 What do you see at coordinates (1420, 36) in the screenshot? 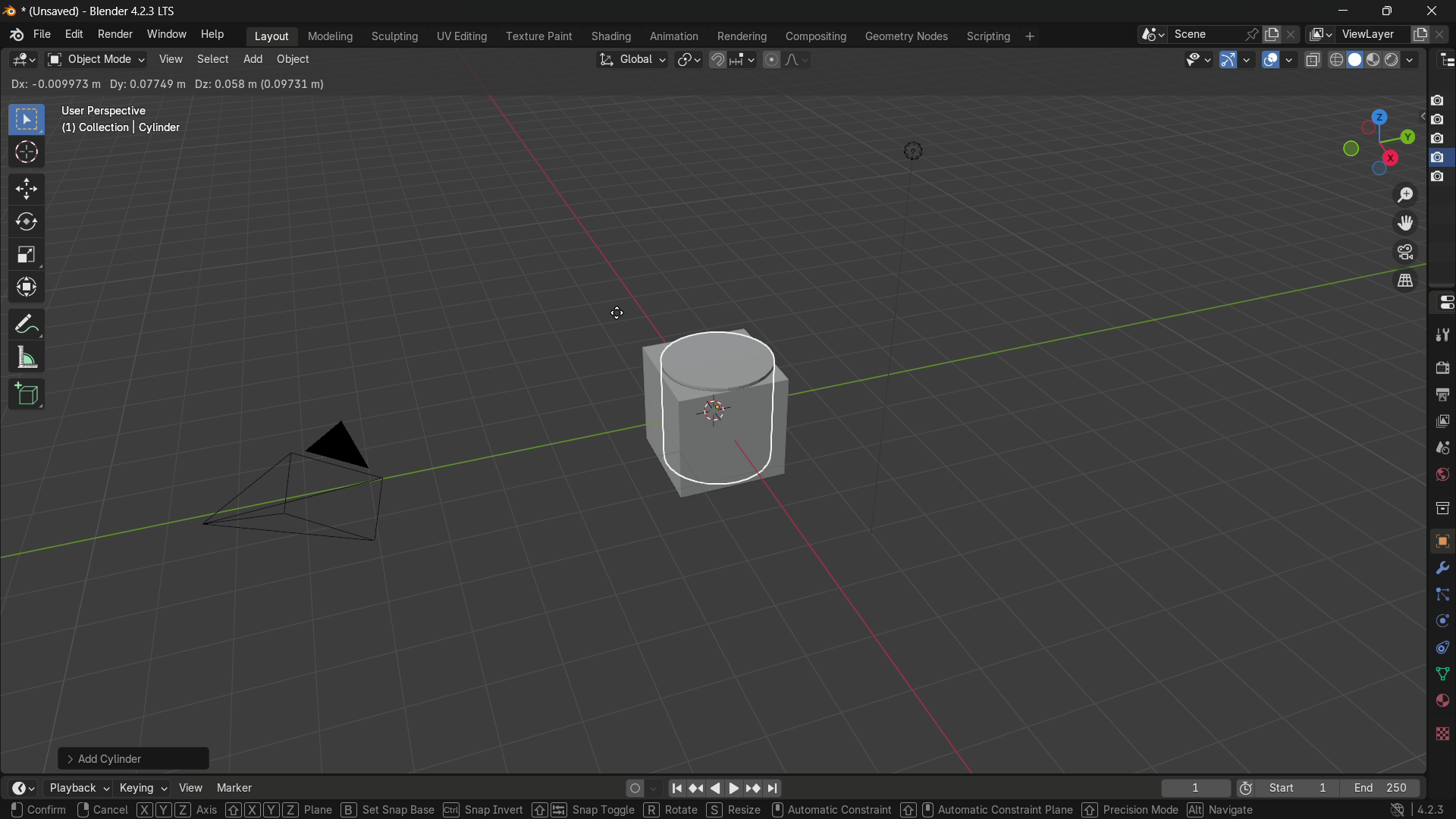
I see `add new layer` at bounding box center [1420, 36].